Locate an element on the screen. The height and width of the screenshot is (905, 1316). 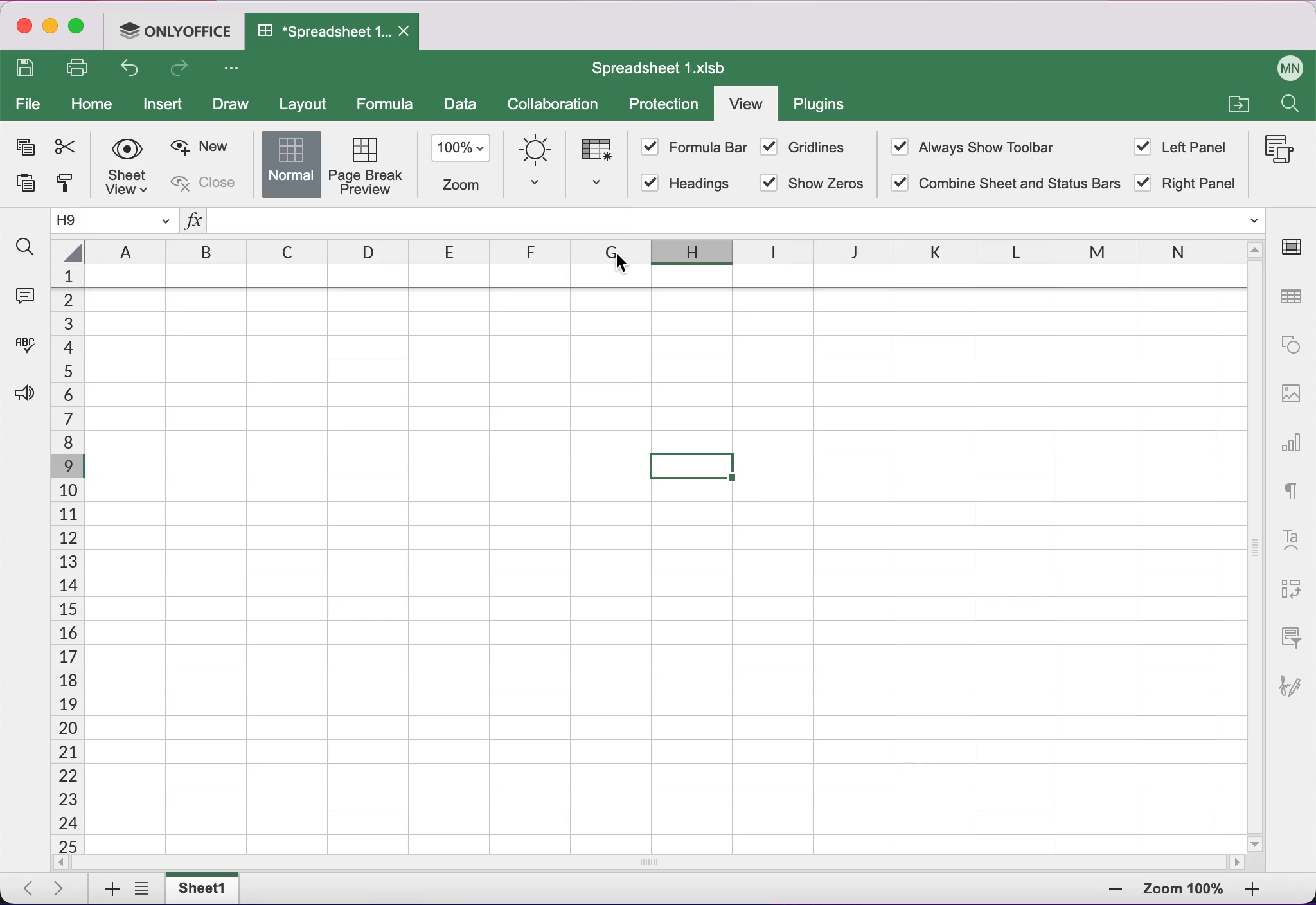
layout is located at coordinates (306, 103).